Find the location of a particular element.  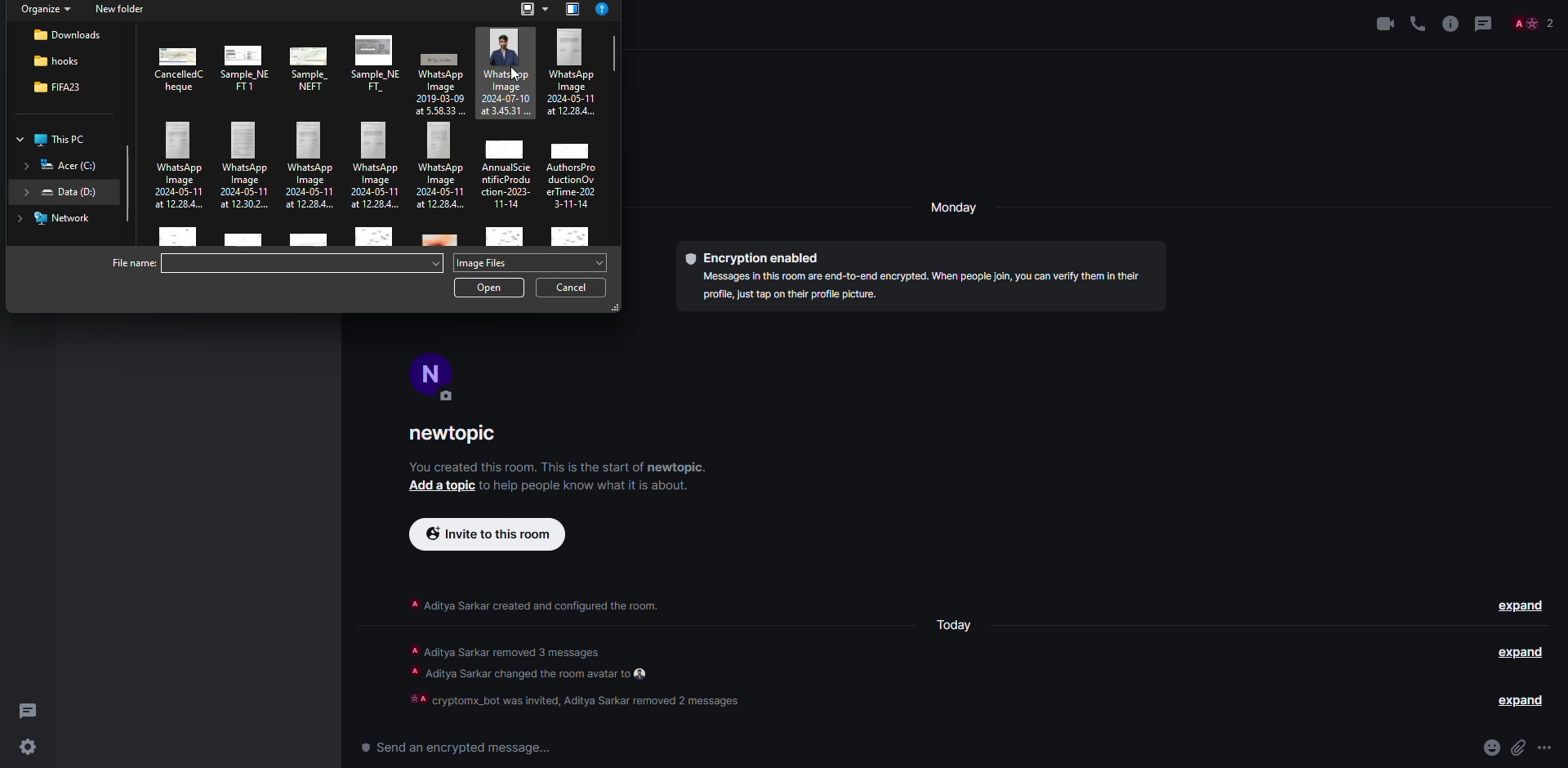

expand is located at coordinates (1515, 701).